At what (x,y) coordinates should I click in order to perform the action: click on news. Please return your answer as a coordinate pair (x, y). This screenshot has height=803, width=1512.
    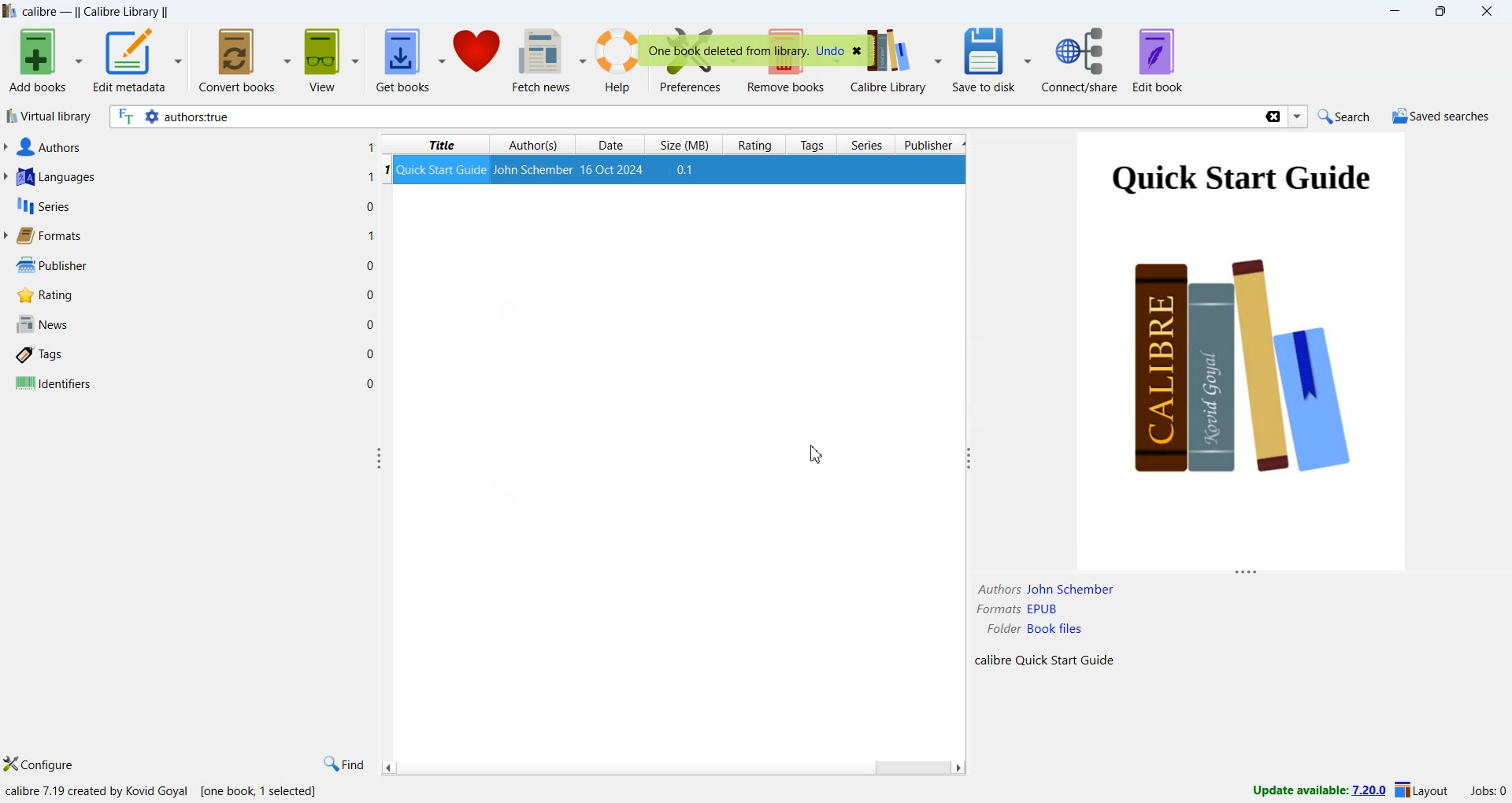
    Looking at the image, I should click on (41, 325).